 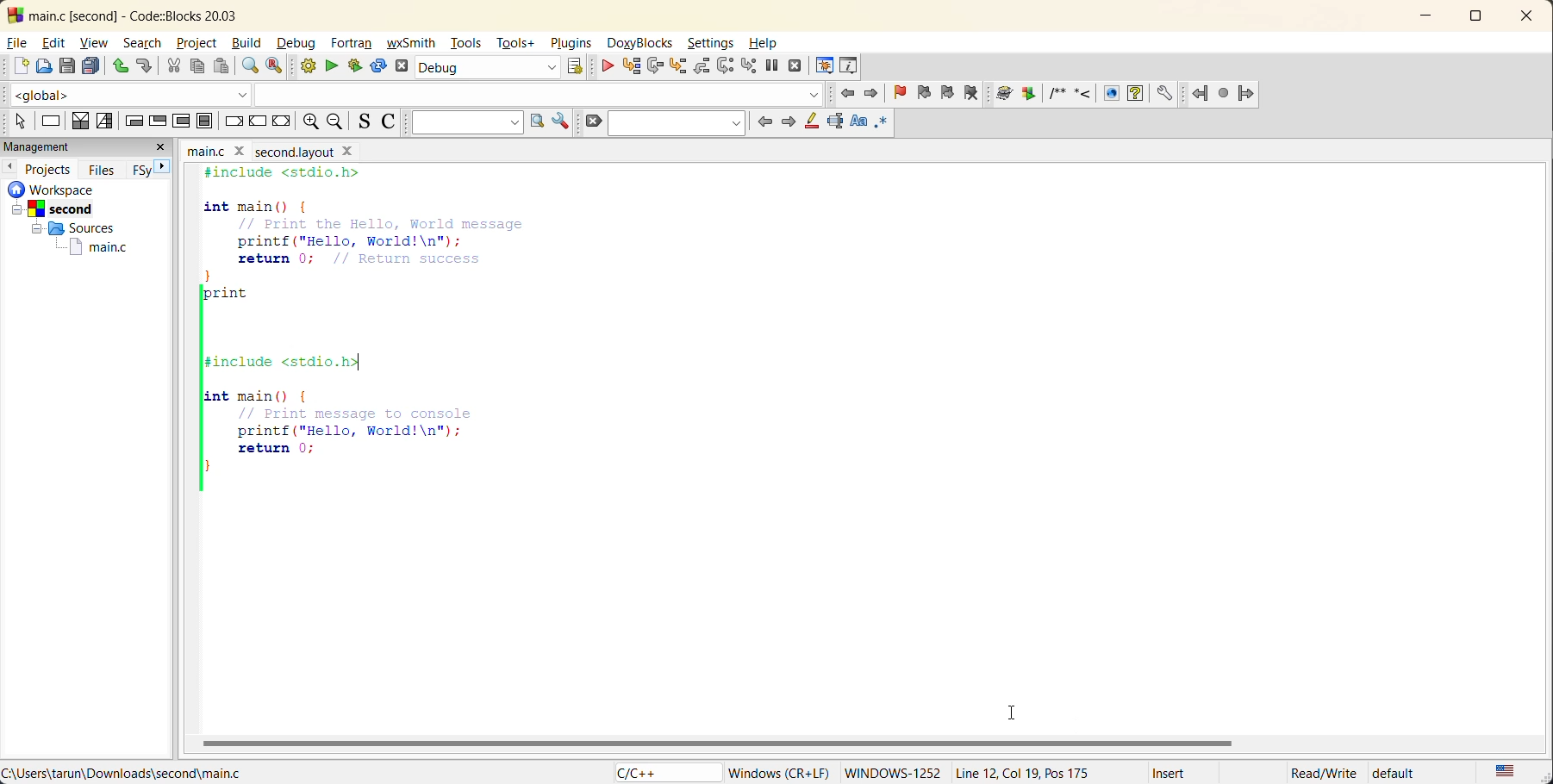 What do you see at coordinates (714, 744) in the screenshot?
I see `horizontal scroll bar` at bounding box center [714, 744].